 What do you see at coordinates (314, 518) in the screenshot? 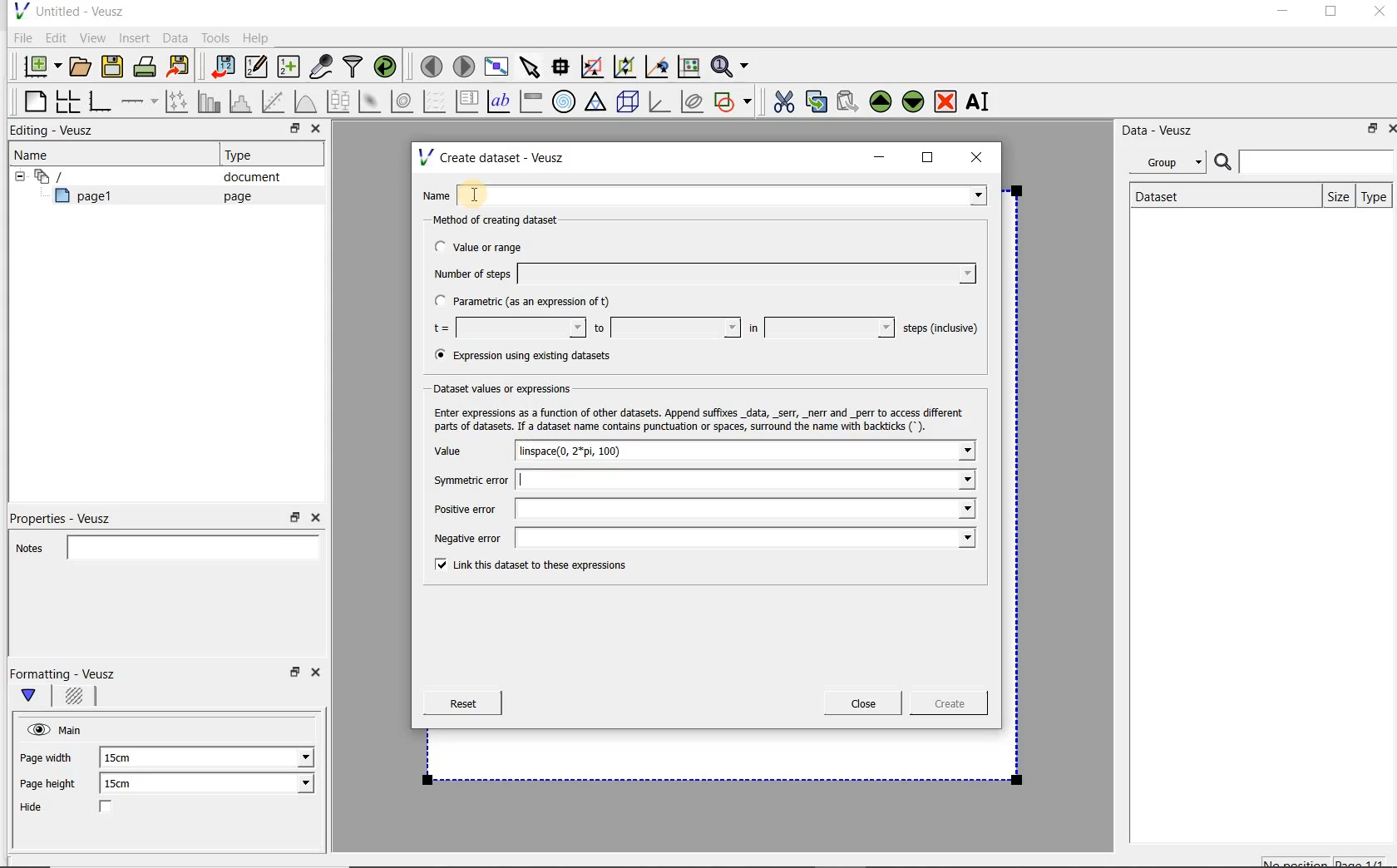
I see `Close` at bounding box center [314, 518].